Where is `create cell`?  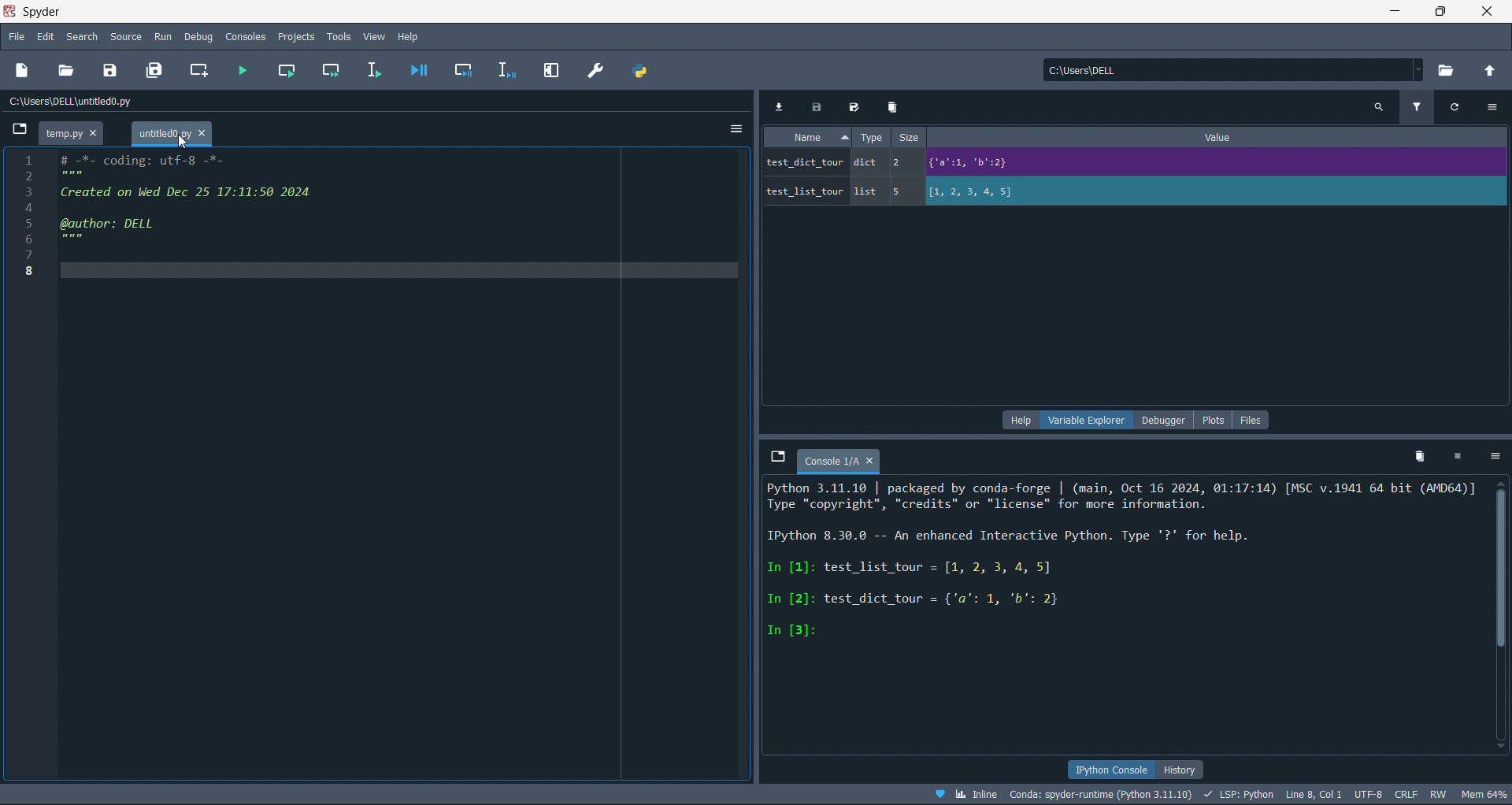
create cell is located at coordinates (198, 69).